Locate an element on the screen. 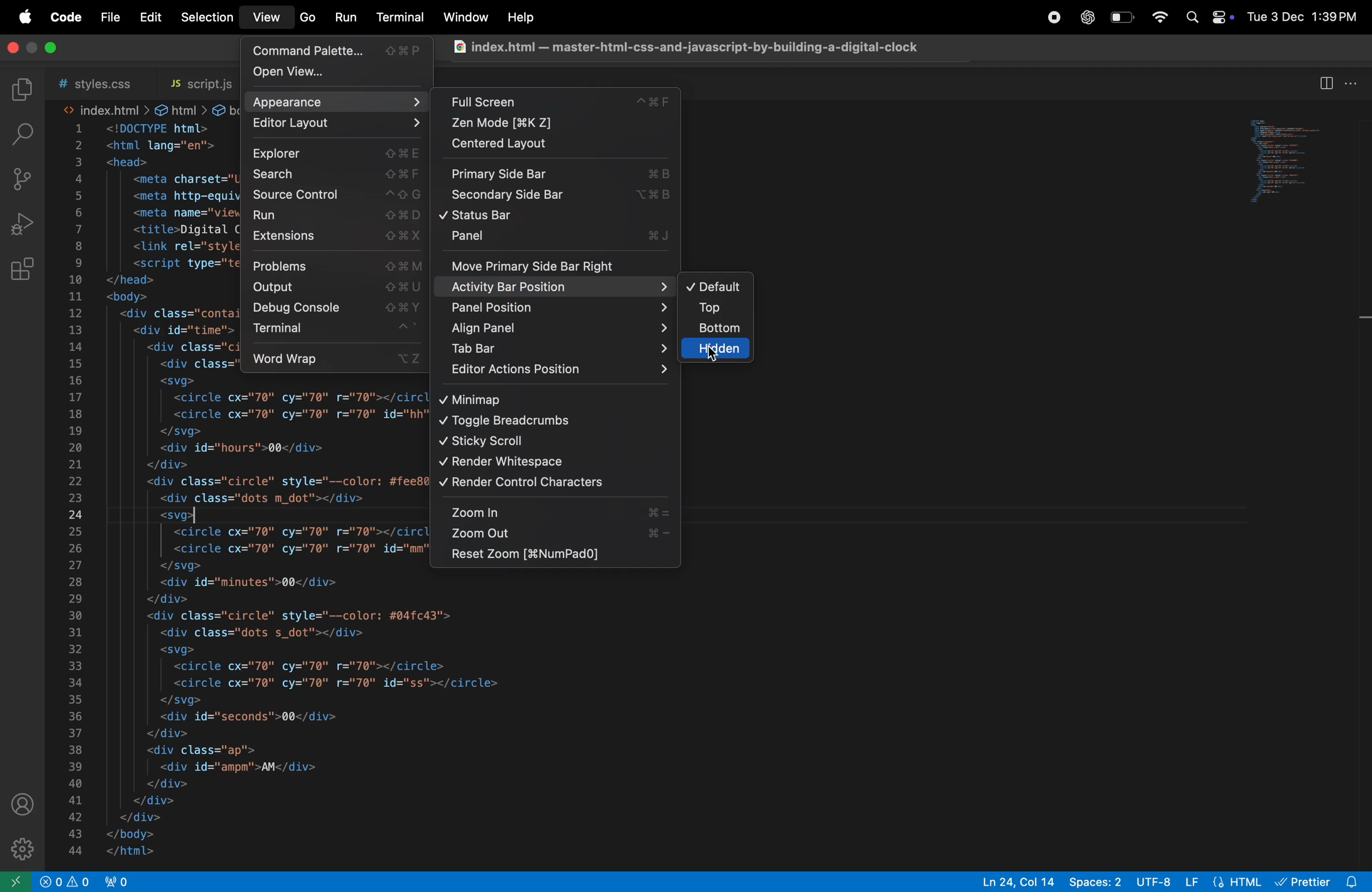 This screenshot has width=1372, height=892. preview window is located at coordinates (1296, 167).